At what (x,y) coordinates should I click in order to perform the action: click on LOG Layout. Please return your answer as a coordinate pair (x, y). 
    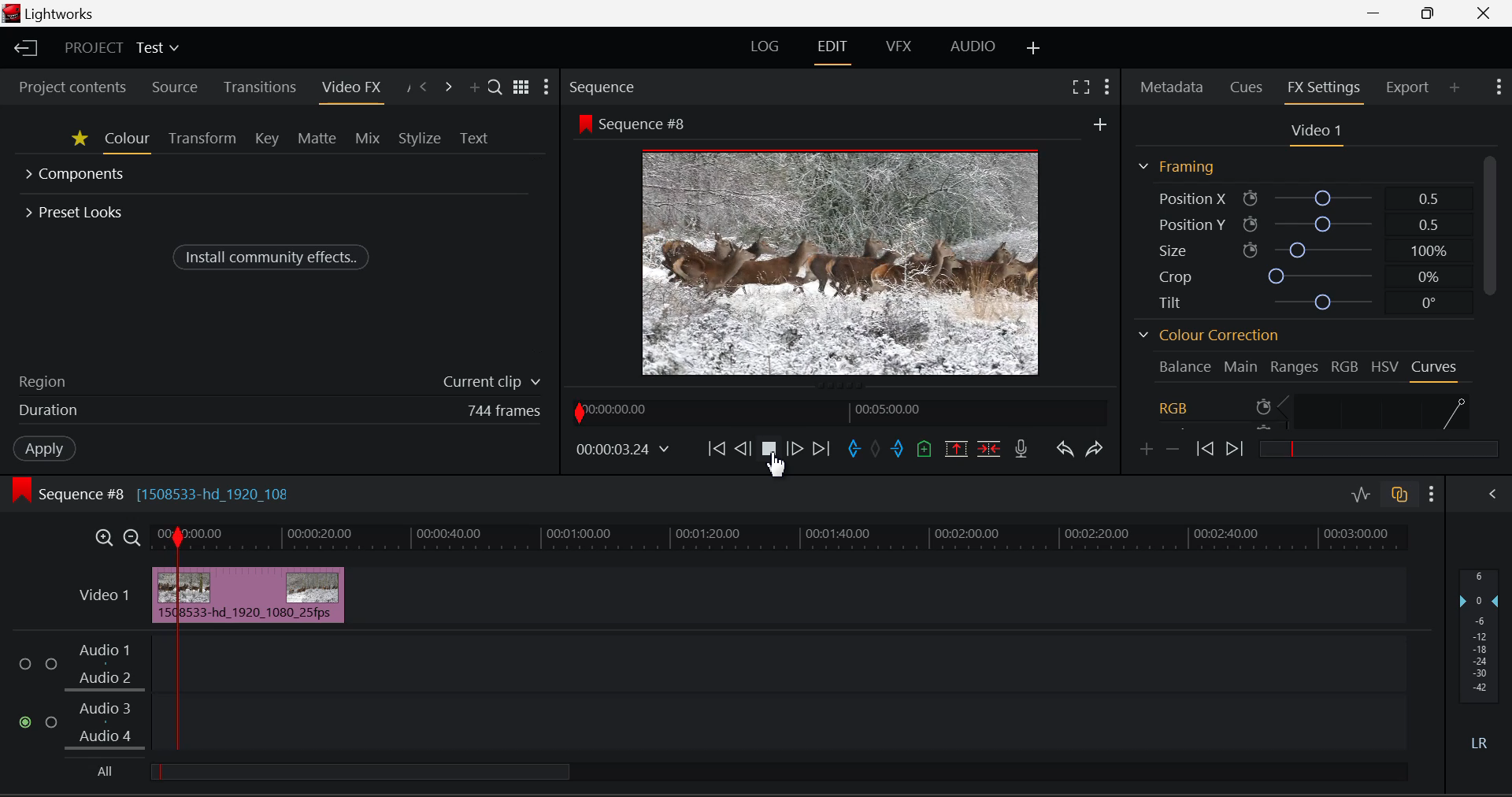
    Looking at the image, I should click on (765, 47).